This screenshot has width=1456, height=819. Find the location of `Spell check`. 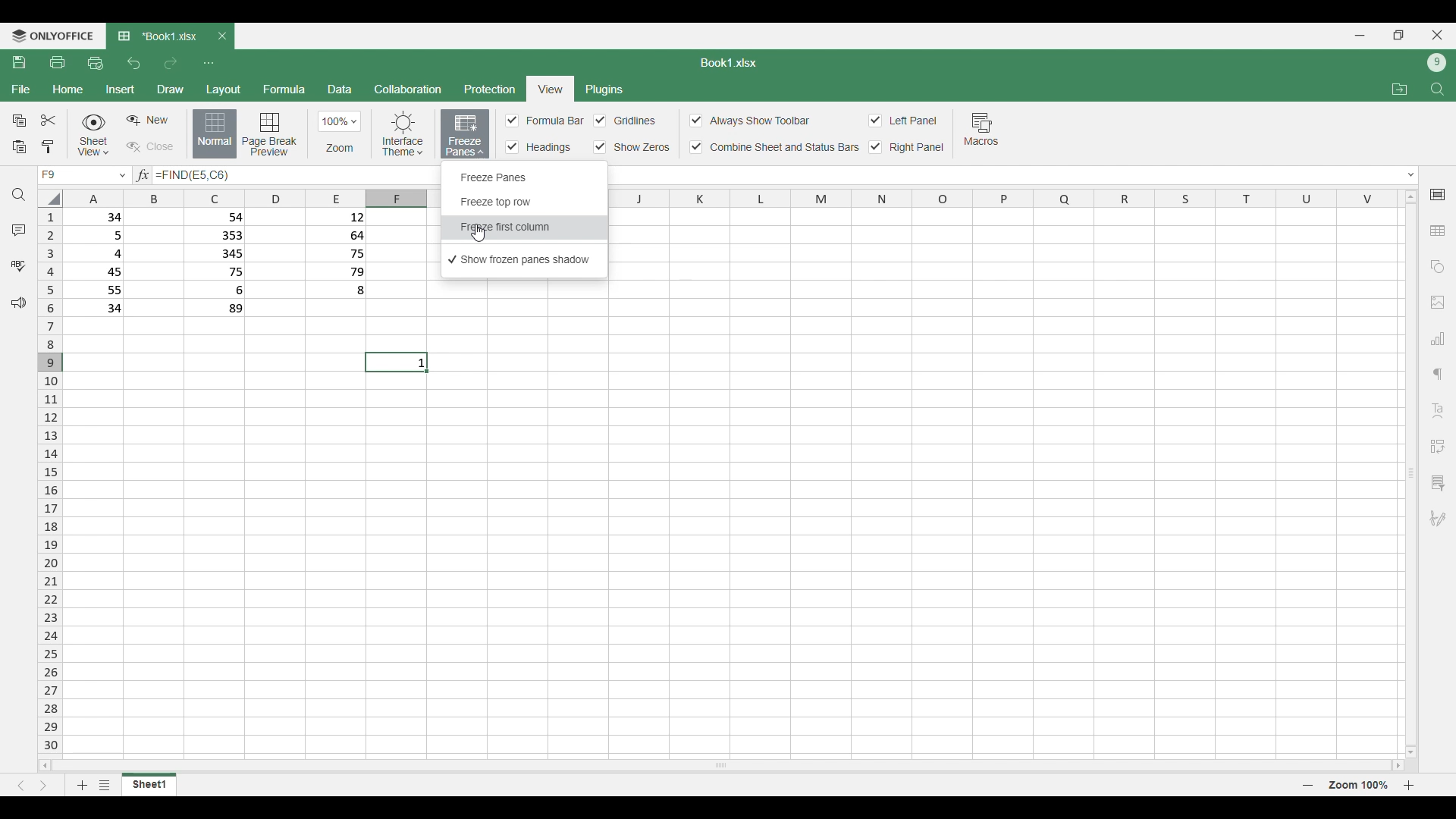

Spell check is located at coordinates (18, 266).